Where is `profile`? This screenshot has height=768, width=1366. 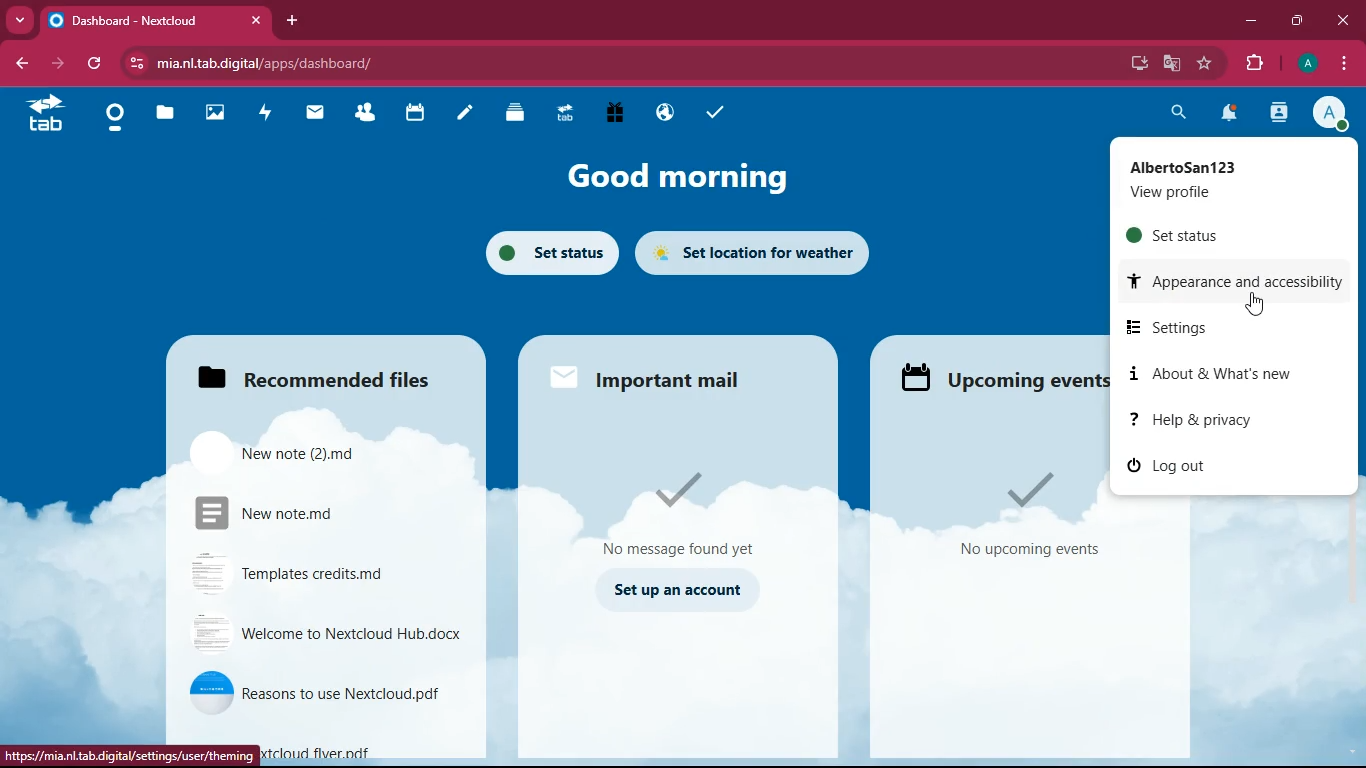
profile is located at coordinates (1222, 181).